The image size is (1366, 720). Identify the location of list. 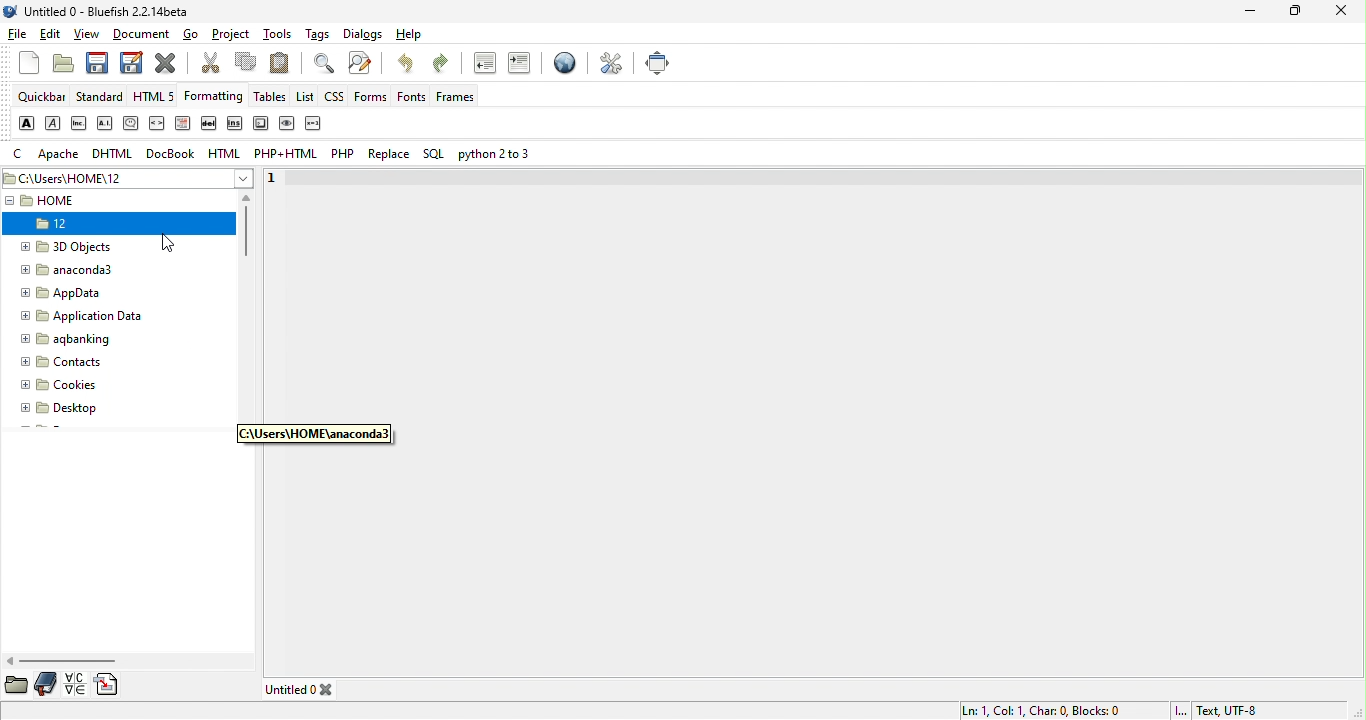
(306, 95).